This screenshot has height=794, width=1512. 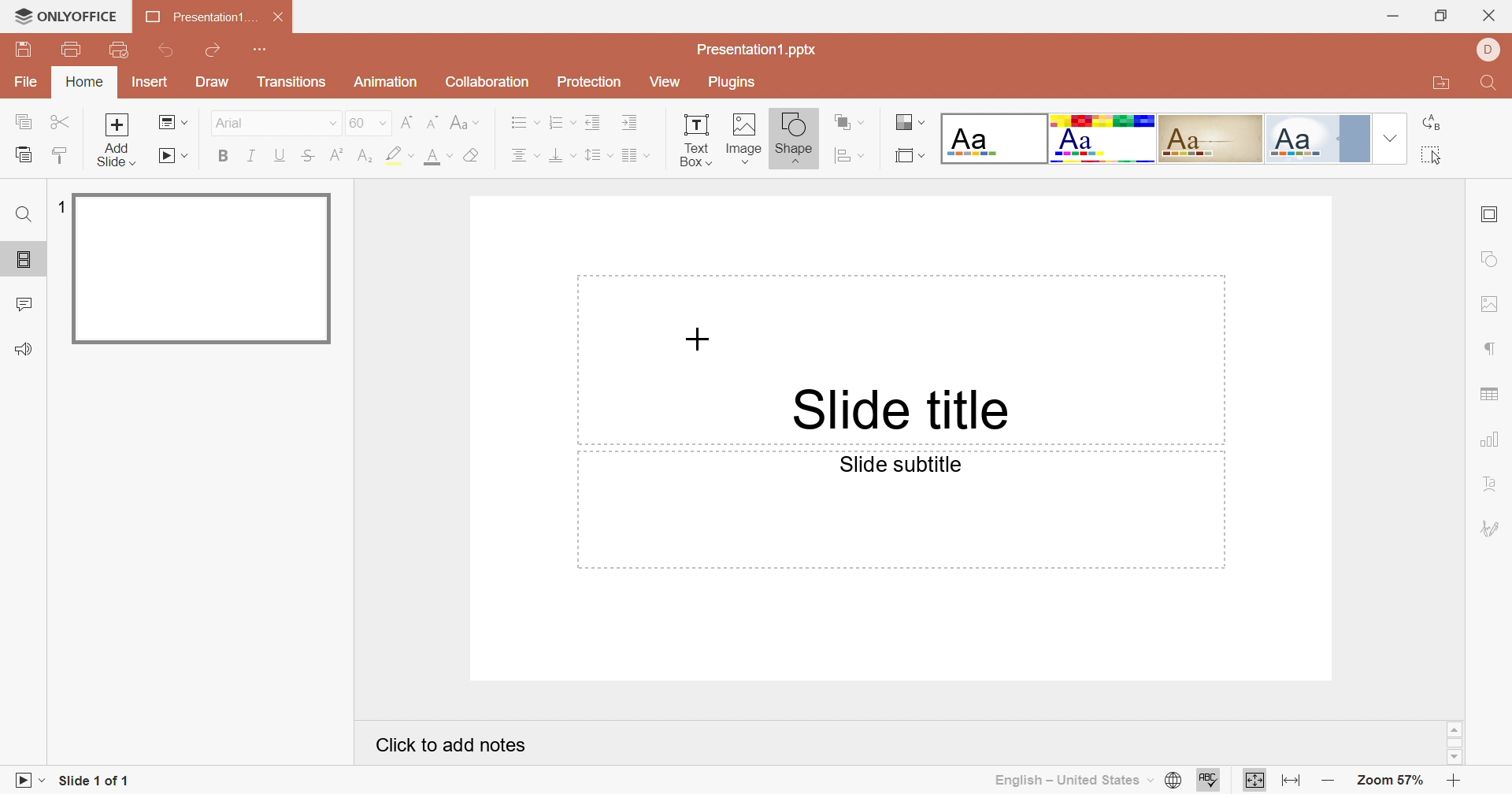 What do you see at coordinates (1392, 138) in the screenshot?
I see `Drop down` at bounding box center [1392, 138].